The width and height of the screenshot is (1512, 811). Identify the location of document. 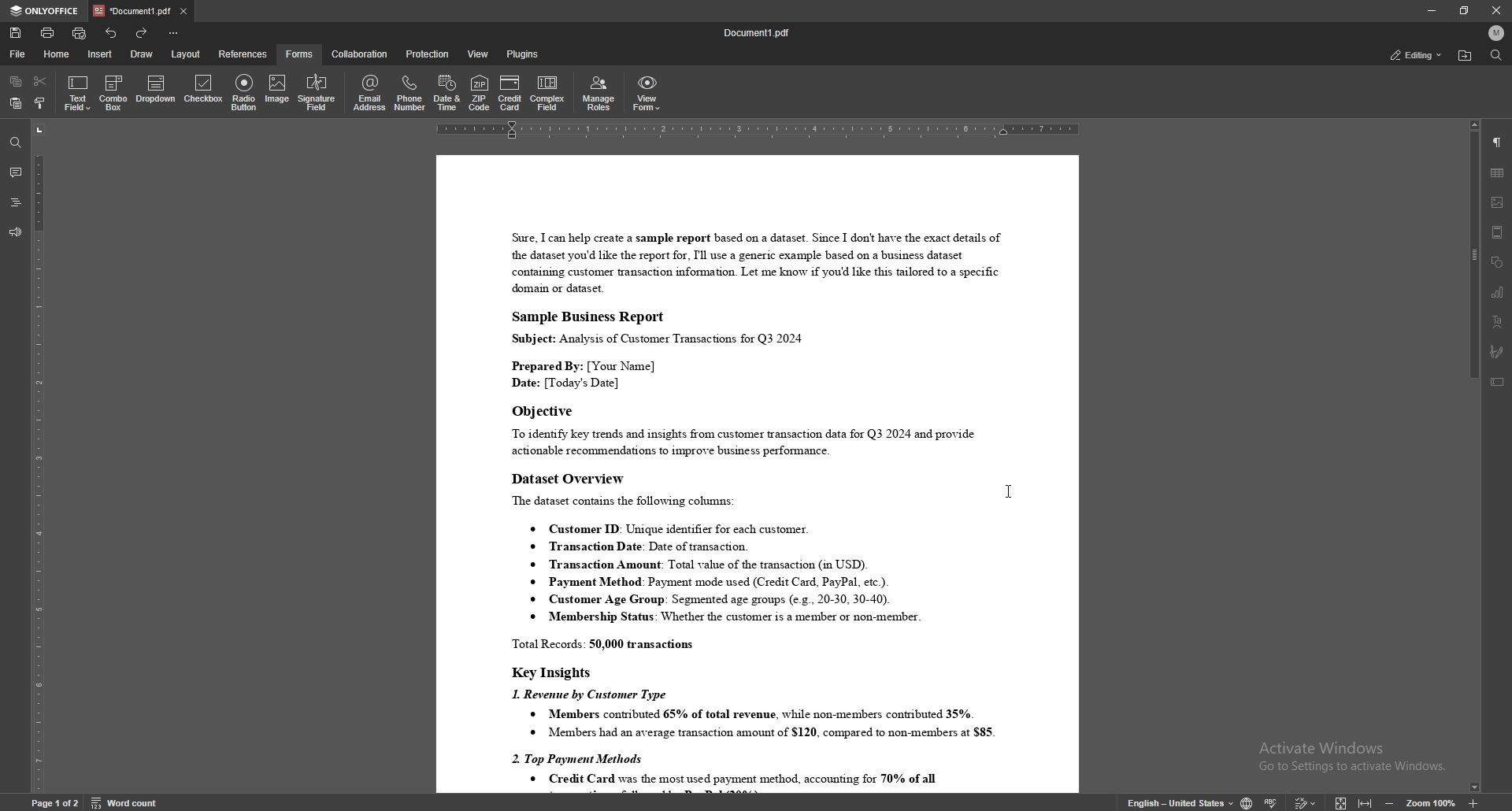
(757, 472).